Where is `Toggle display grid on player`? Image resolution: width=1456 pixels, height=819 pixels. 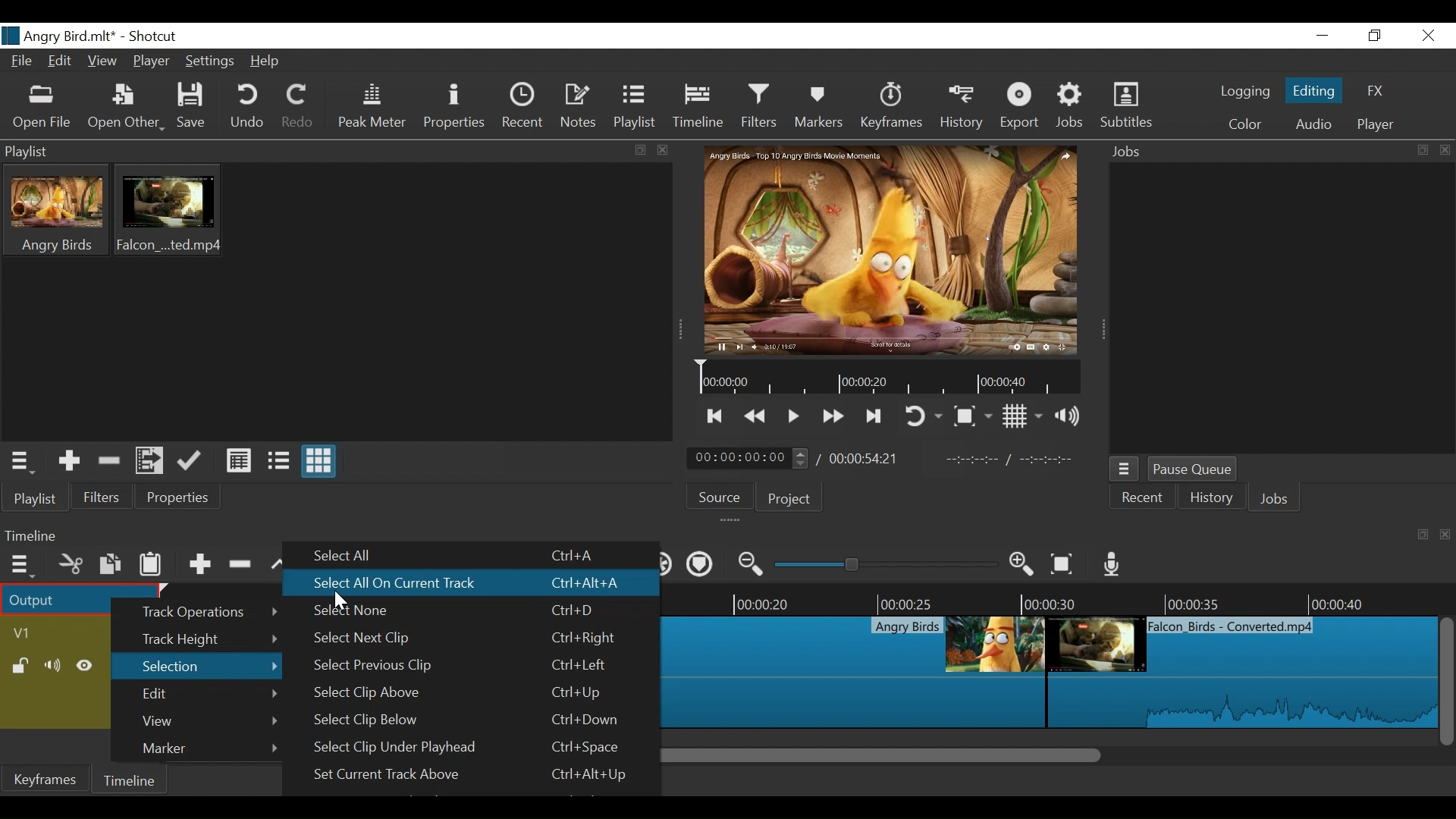
Toggle display grid on player is located at coordinates (1025, 418).